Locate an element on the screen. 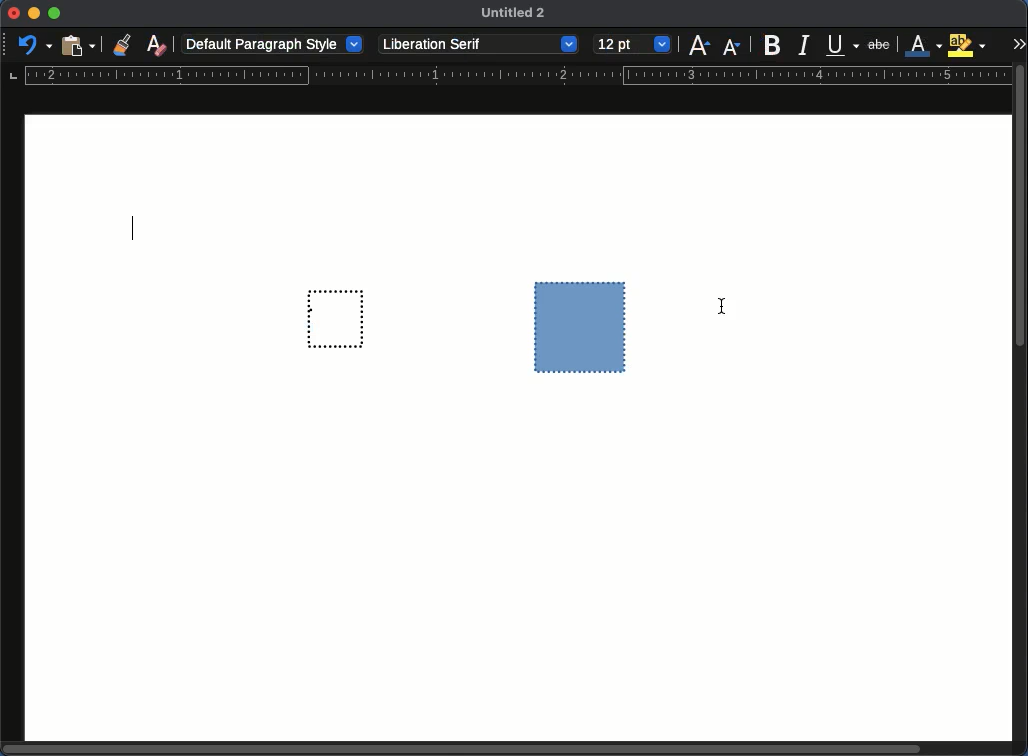 The width and height of the screenshot is (1028, 756). minimize is located at coordinates (34, 13).